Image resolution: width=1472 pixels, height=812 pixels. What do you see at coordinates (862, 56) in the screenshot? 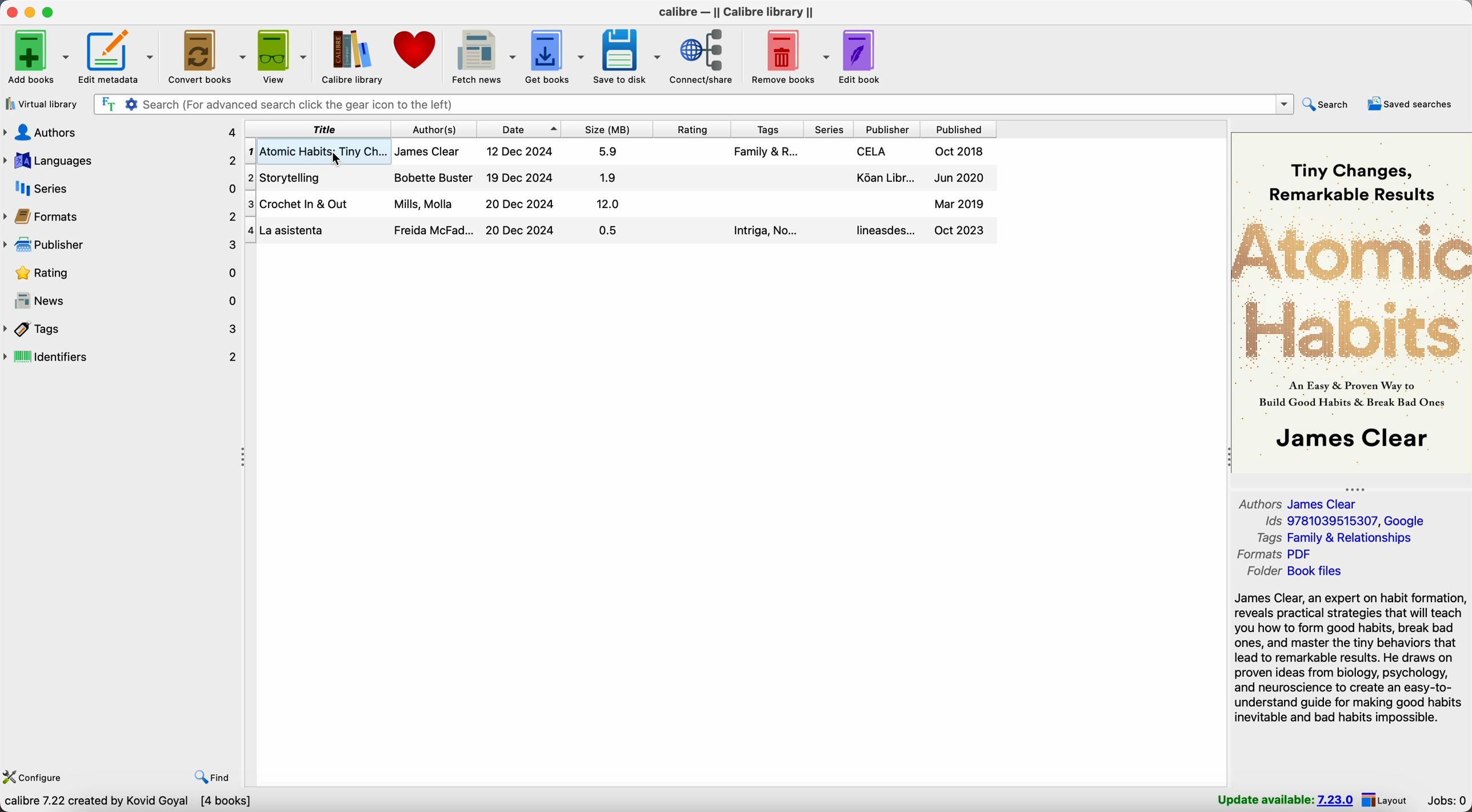
I see `edit book` at bounding box center [862, 56].